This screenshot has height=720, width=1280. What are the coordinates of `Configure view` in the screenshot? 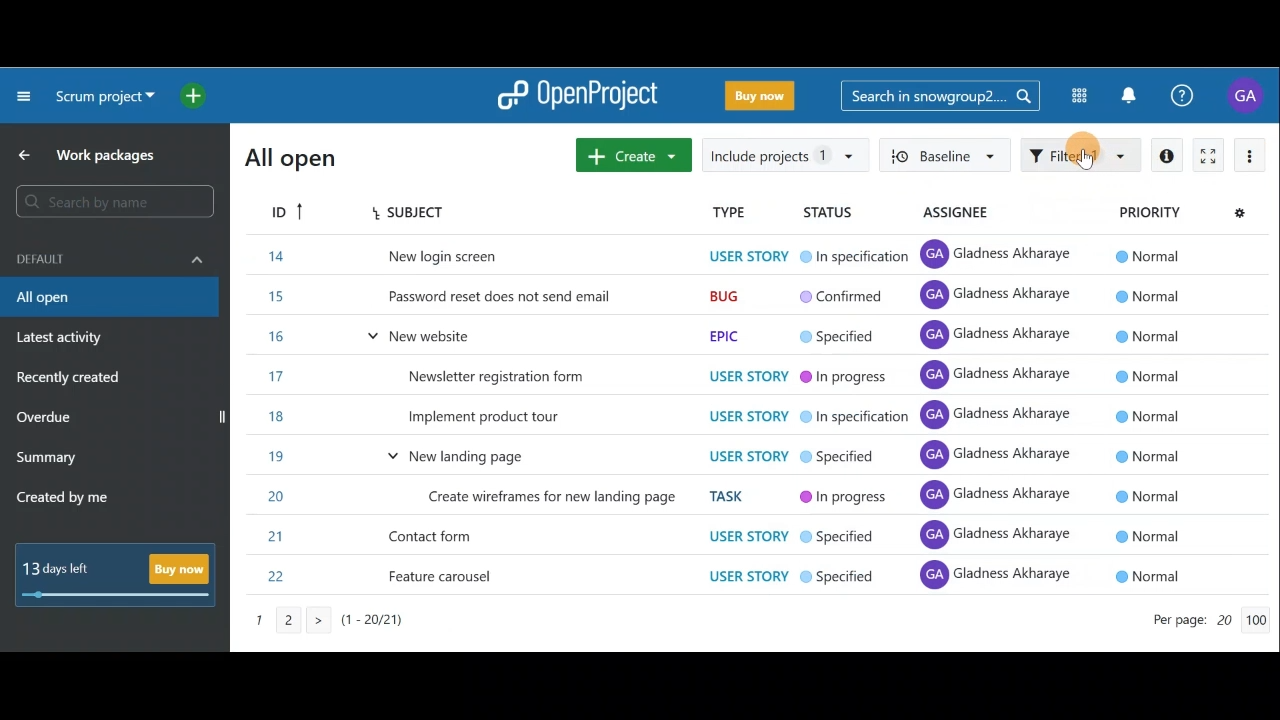 It's located at (1237, 216).